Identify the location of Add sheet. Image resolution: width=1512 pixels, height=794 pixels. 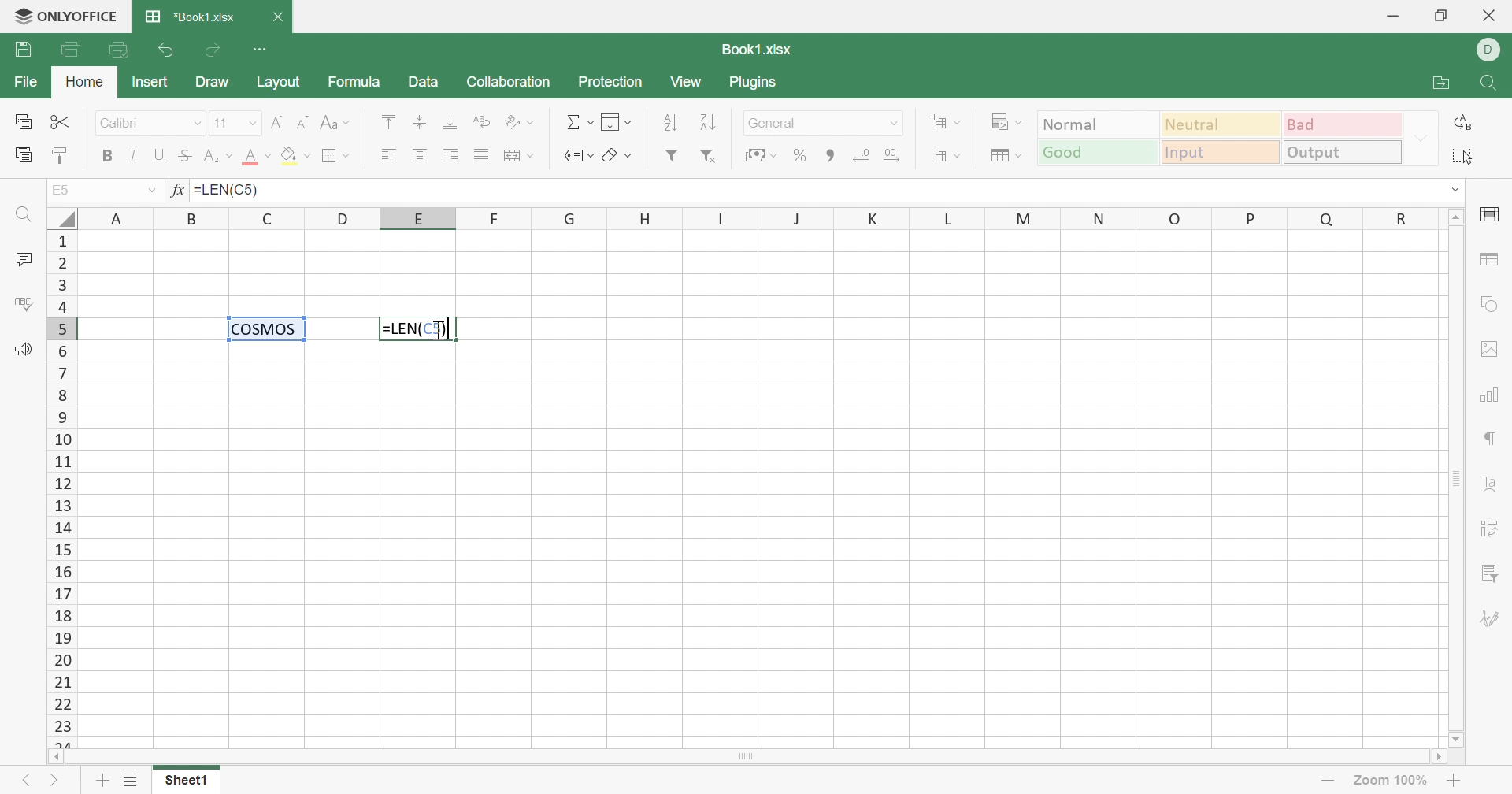
(102, 781).